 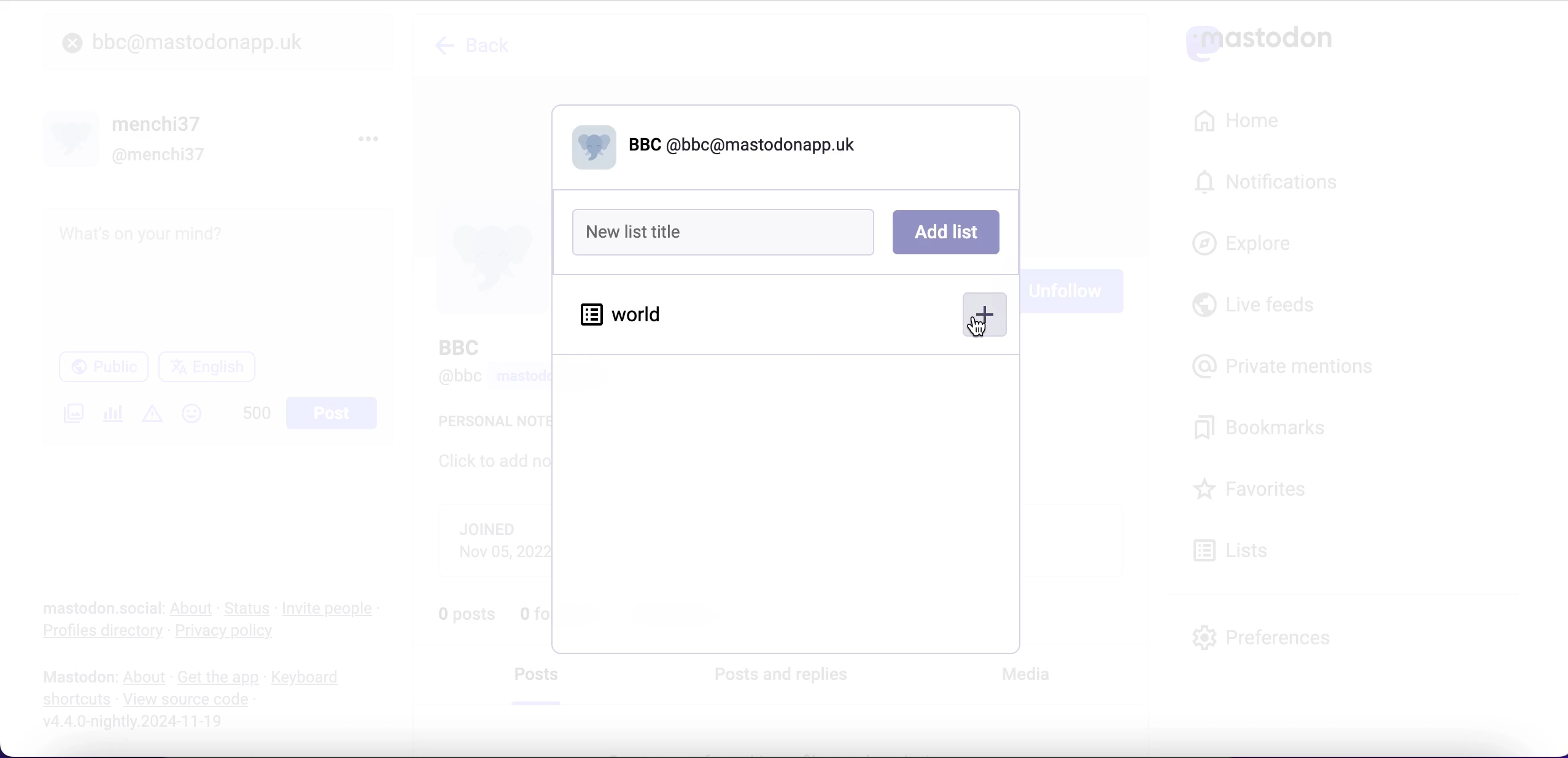 I want to click on view source code, so click(x=190, y=700).